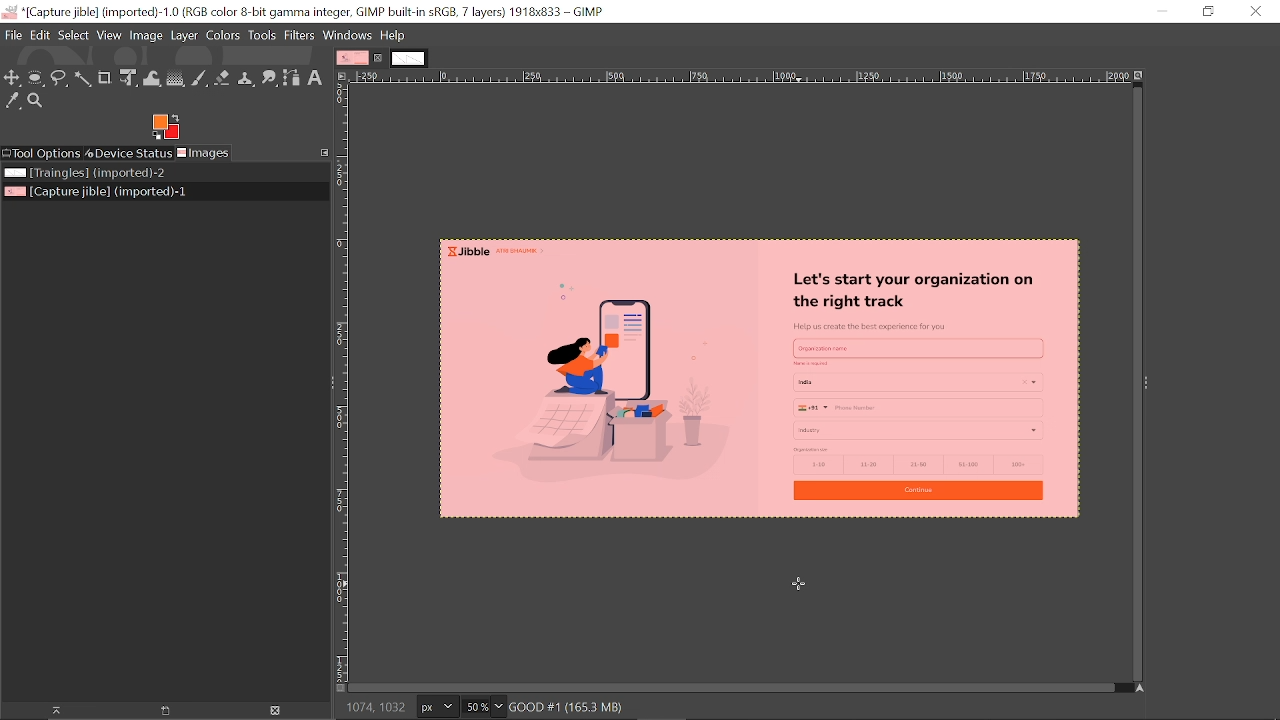 The image size is (1280, 720). Describe the element at coordinates (1142, 689) in the screenshot. I see `Navigate this display` at that location.